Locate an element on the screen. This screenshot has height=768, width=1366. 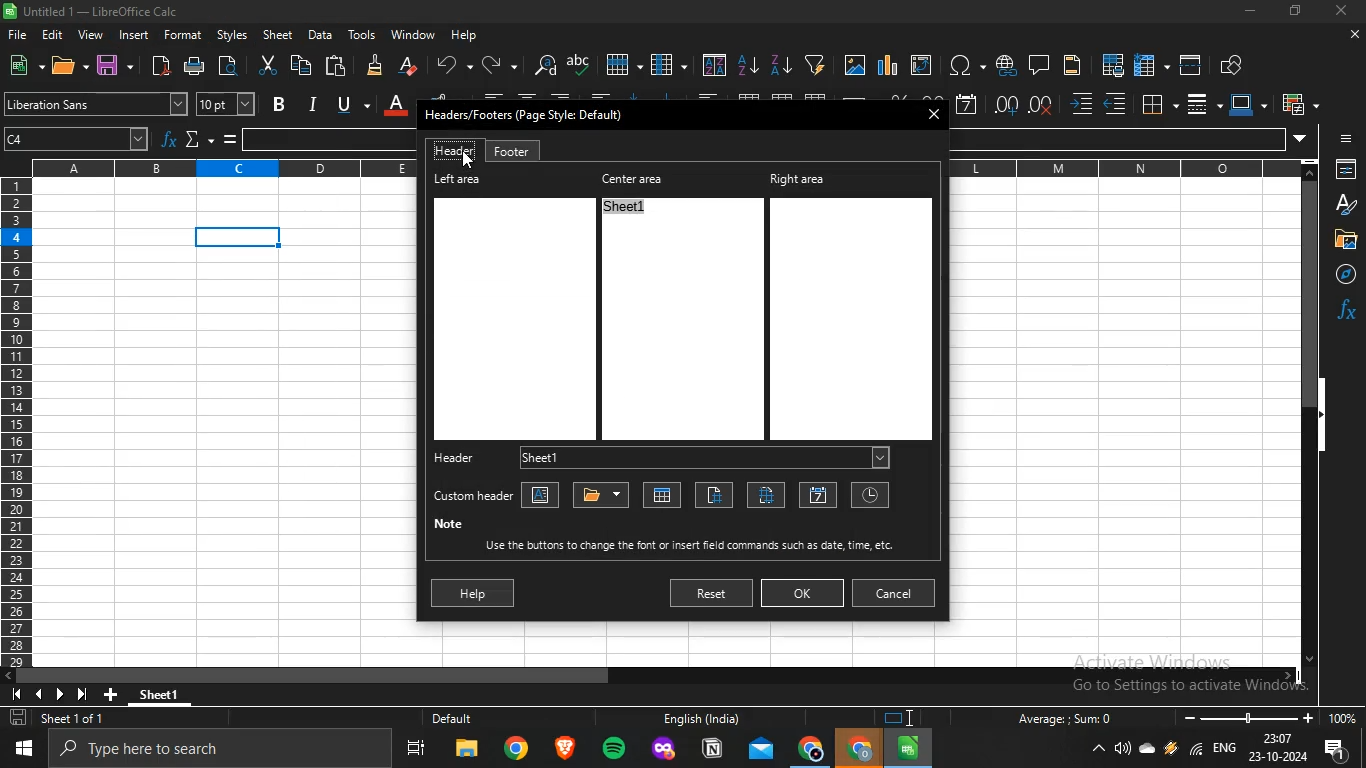
borders is located at coordinates (1157, 103).